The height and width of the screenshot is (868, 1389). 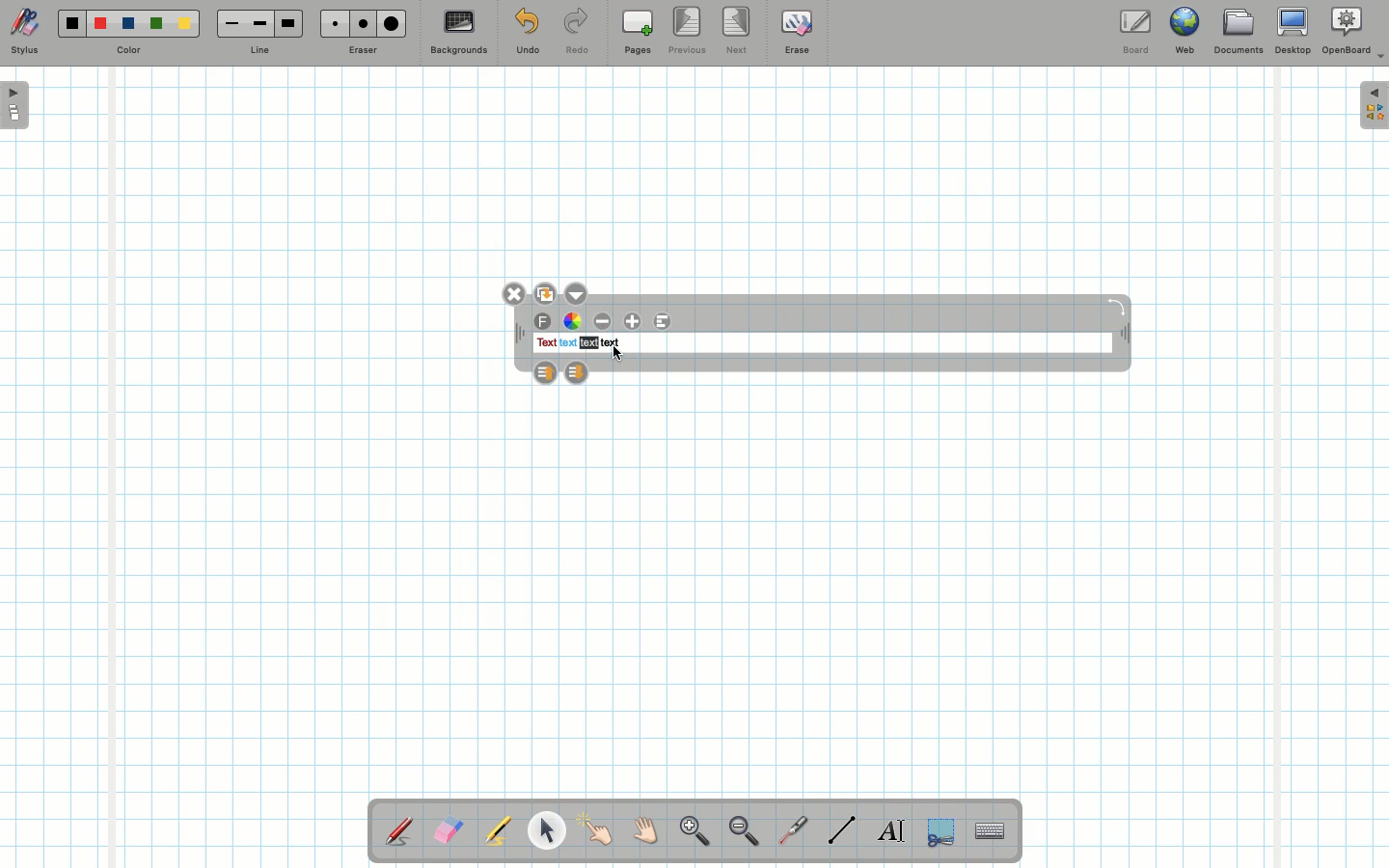 I want to click on Black, so click(x=70, y=23).